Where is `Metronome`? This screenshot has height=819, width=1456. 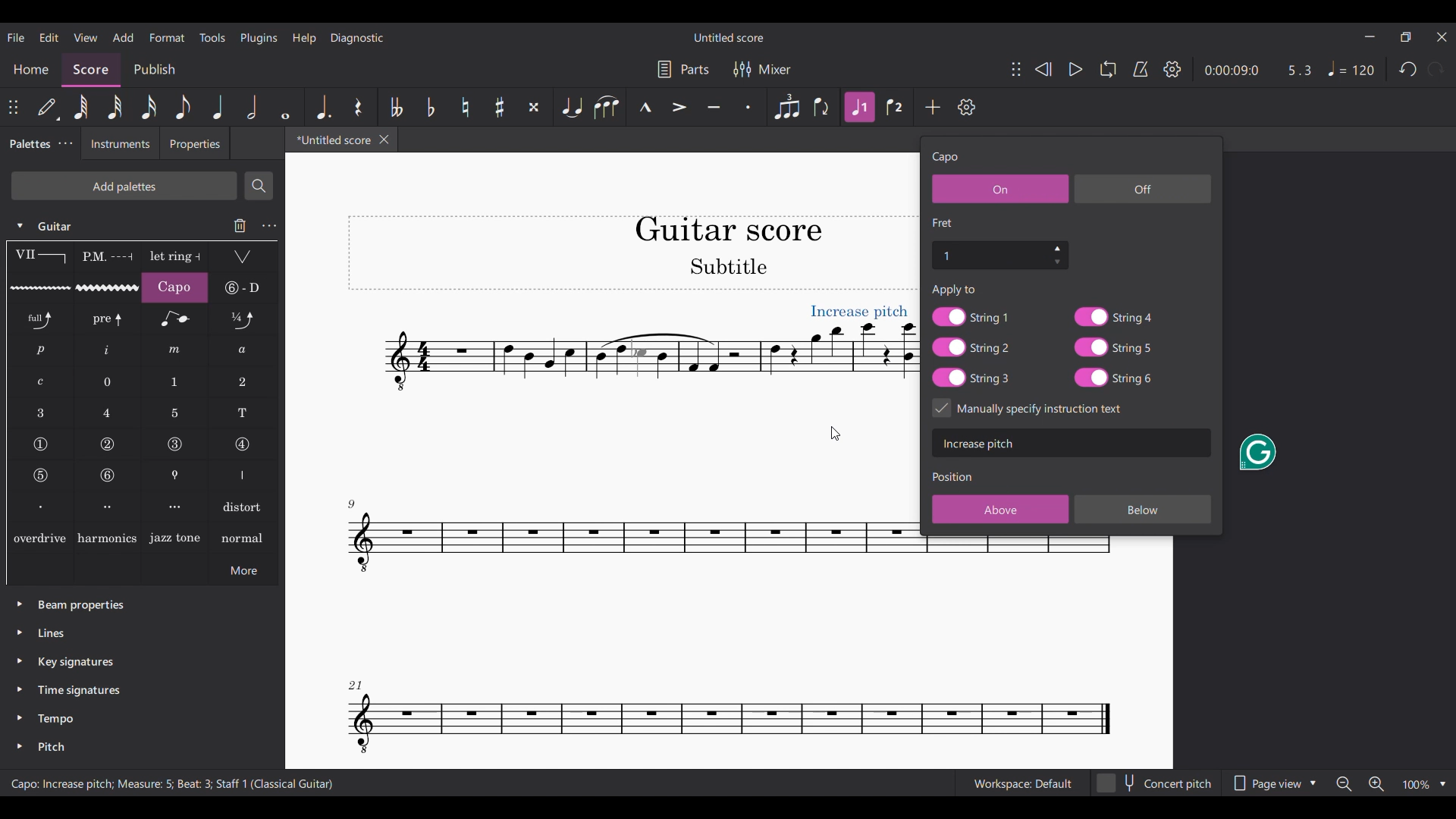 Metronome is located at coordinates (1141, 69).